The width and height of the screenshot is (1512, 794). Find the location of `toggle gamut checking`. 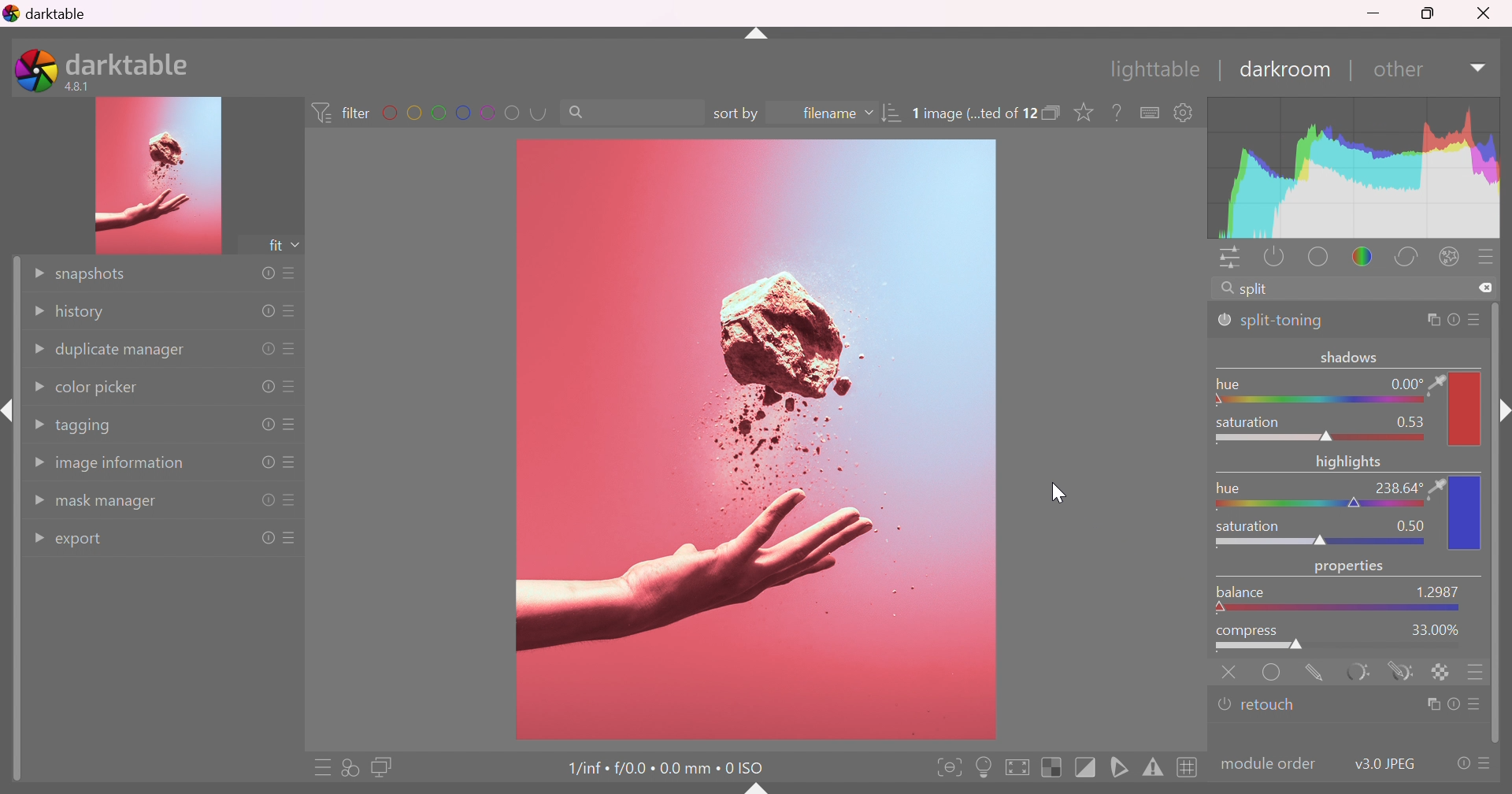

toggle gamut checking is located at coordinates (1154, 770).